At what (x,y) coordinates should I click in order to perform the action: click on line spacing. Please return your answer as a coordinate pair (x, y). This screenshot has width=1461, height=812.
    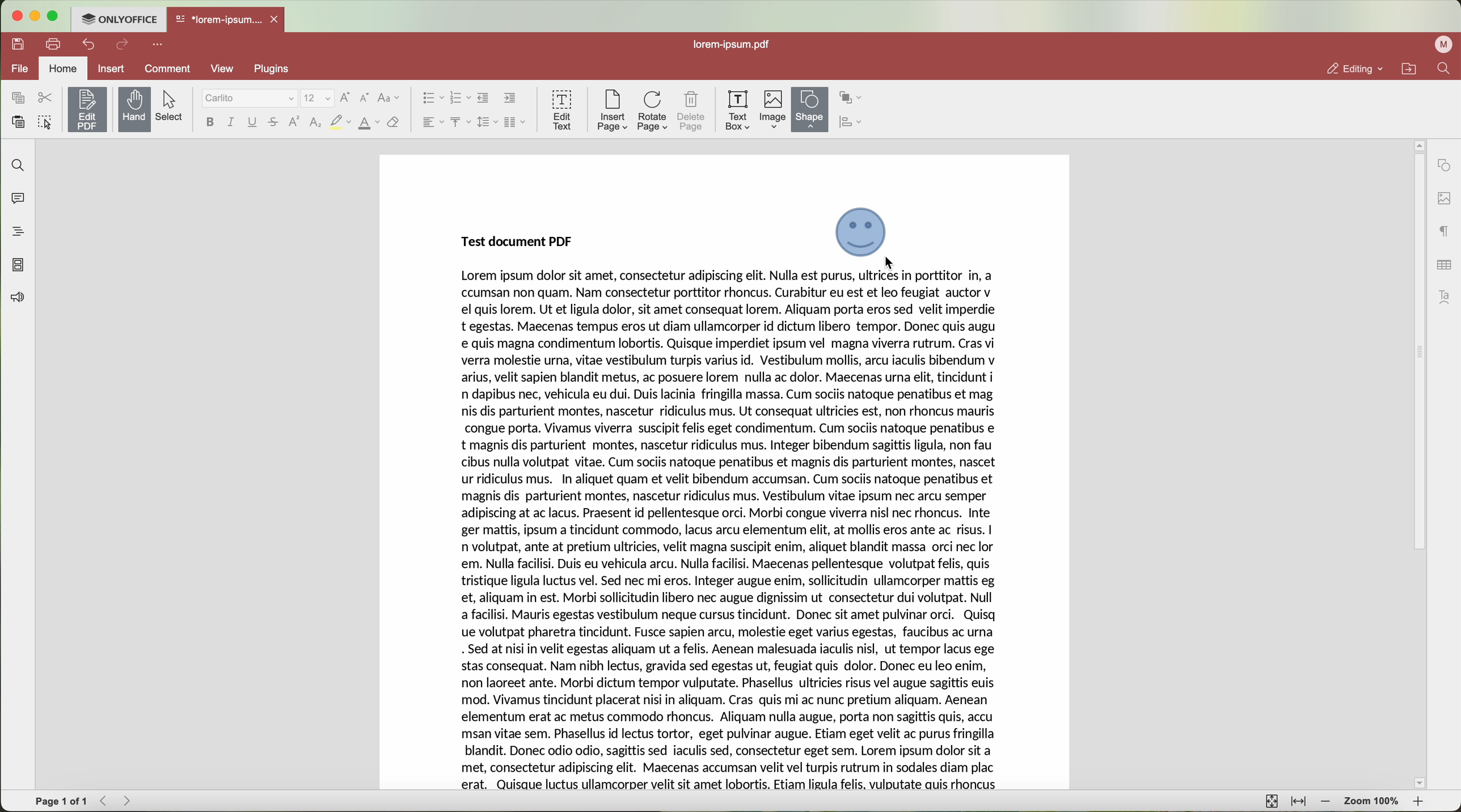
    Looking at the image, I should click on (485, 122).